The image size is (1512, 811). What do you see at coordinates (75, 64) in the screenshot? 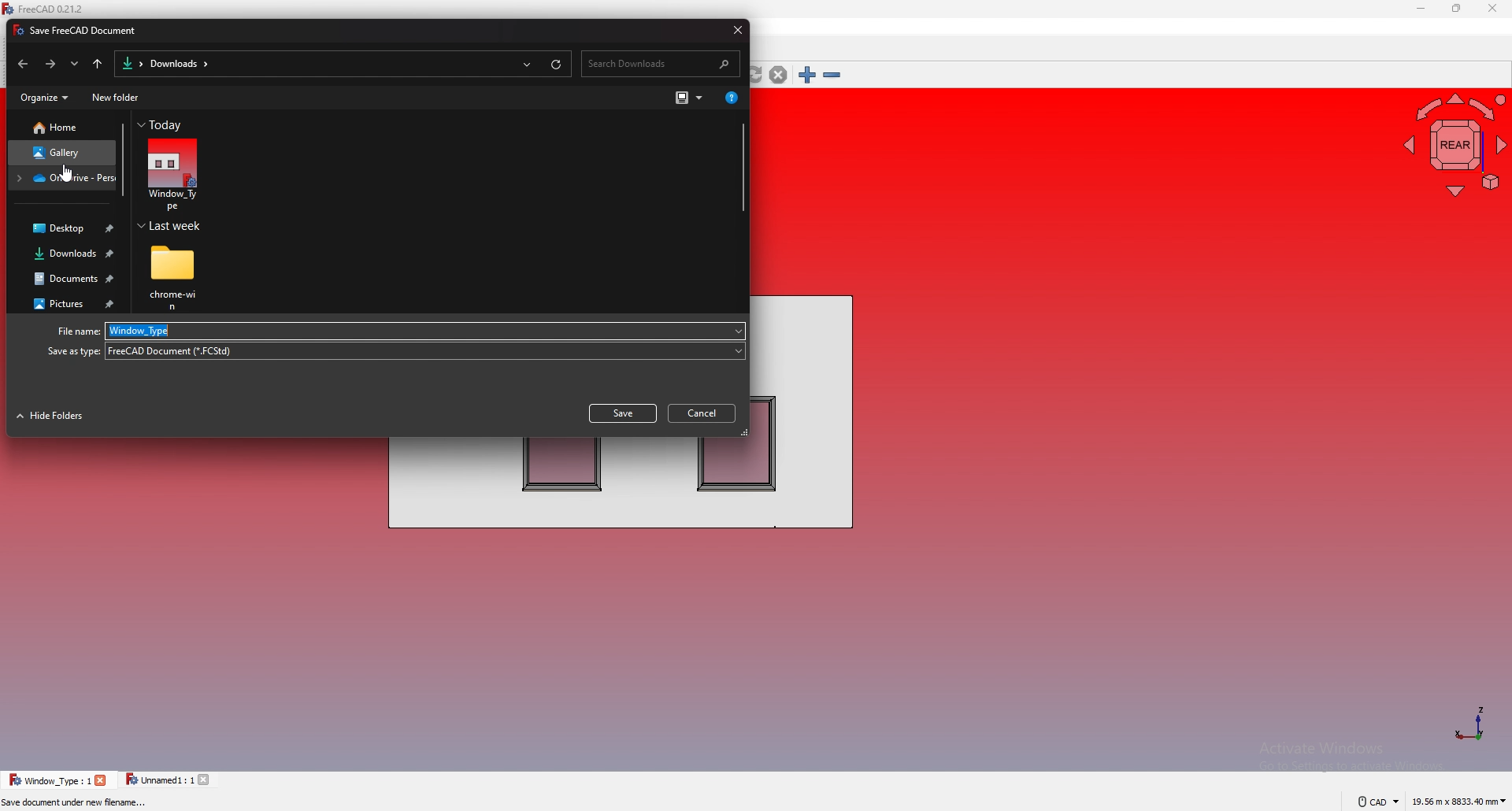
I see `recent` at bounding box center [75, 64].